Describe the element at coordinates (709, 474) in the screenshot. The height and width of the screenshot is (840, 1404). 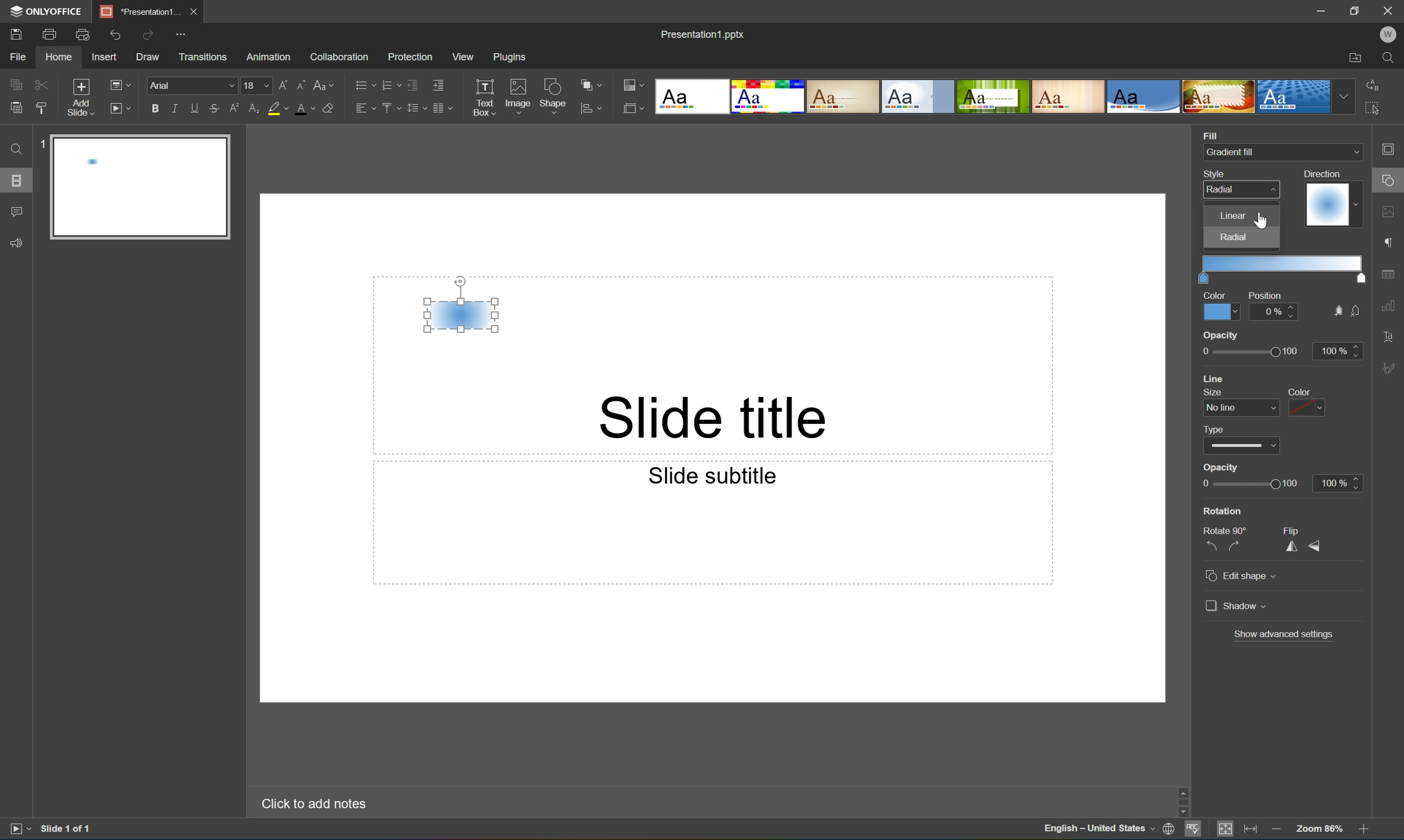
I see `Slide subtitle` at that location.